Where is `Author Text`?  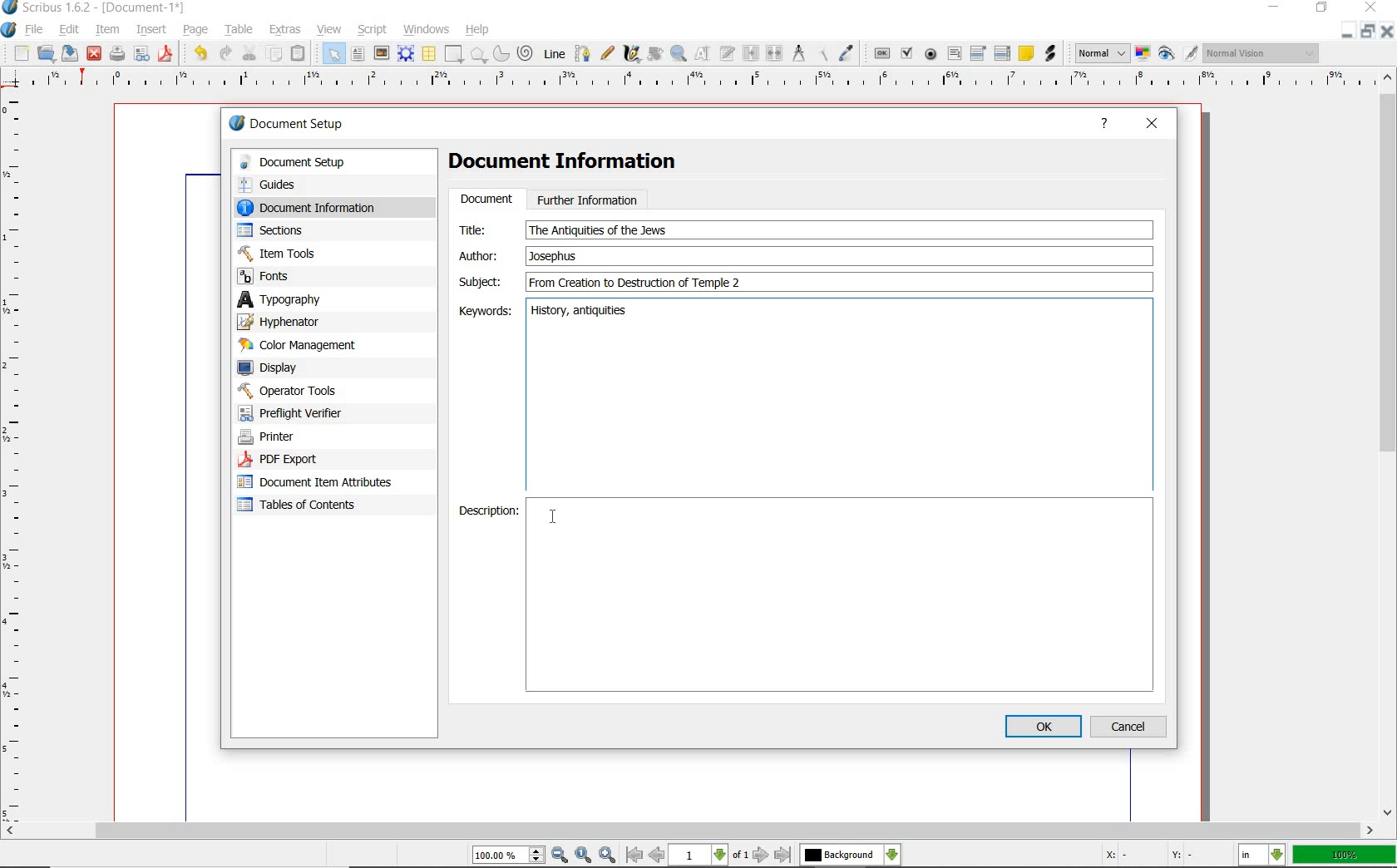
Author Text is located at coordinates (556, 255).